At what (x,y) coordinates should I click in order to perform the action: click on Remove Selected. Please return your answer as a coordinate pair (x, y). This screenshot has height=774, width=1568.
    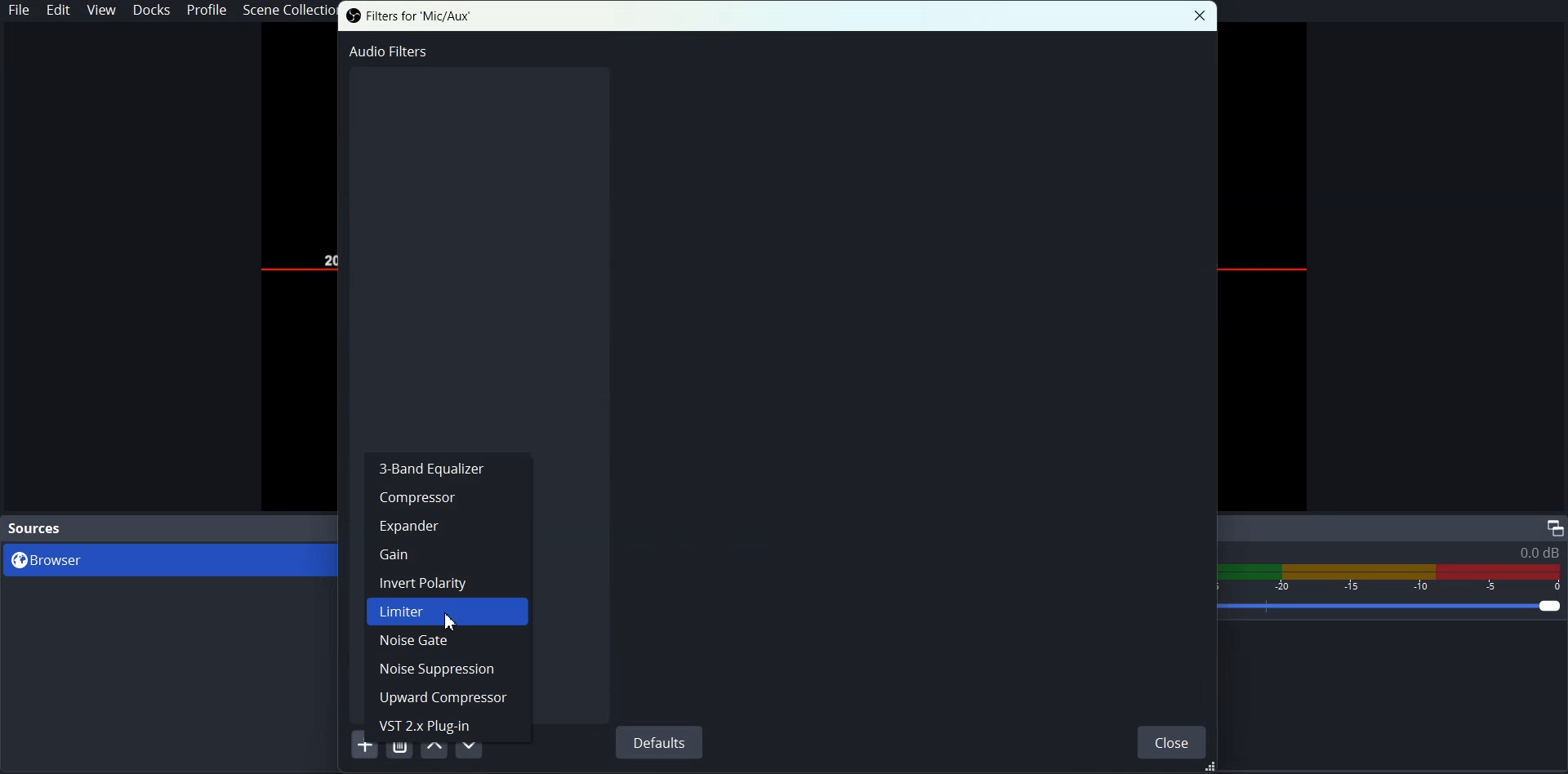
    Looking at the image, I should click on (399, 750).